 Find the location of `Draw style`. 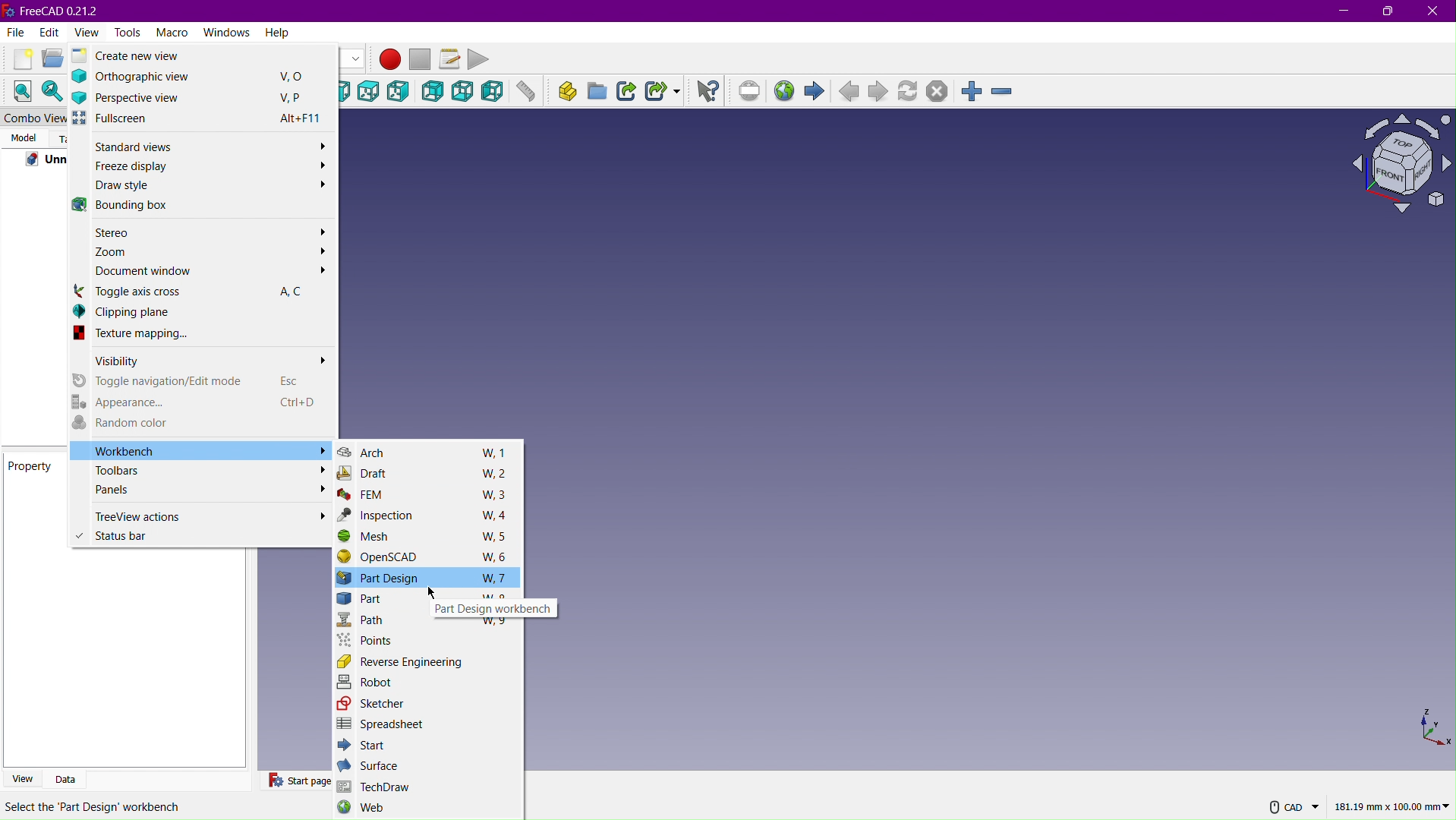

Draw style is located at coordinates (200, 187).